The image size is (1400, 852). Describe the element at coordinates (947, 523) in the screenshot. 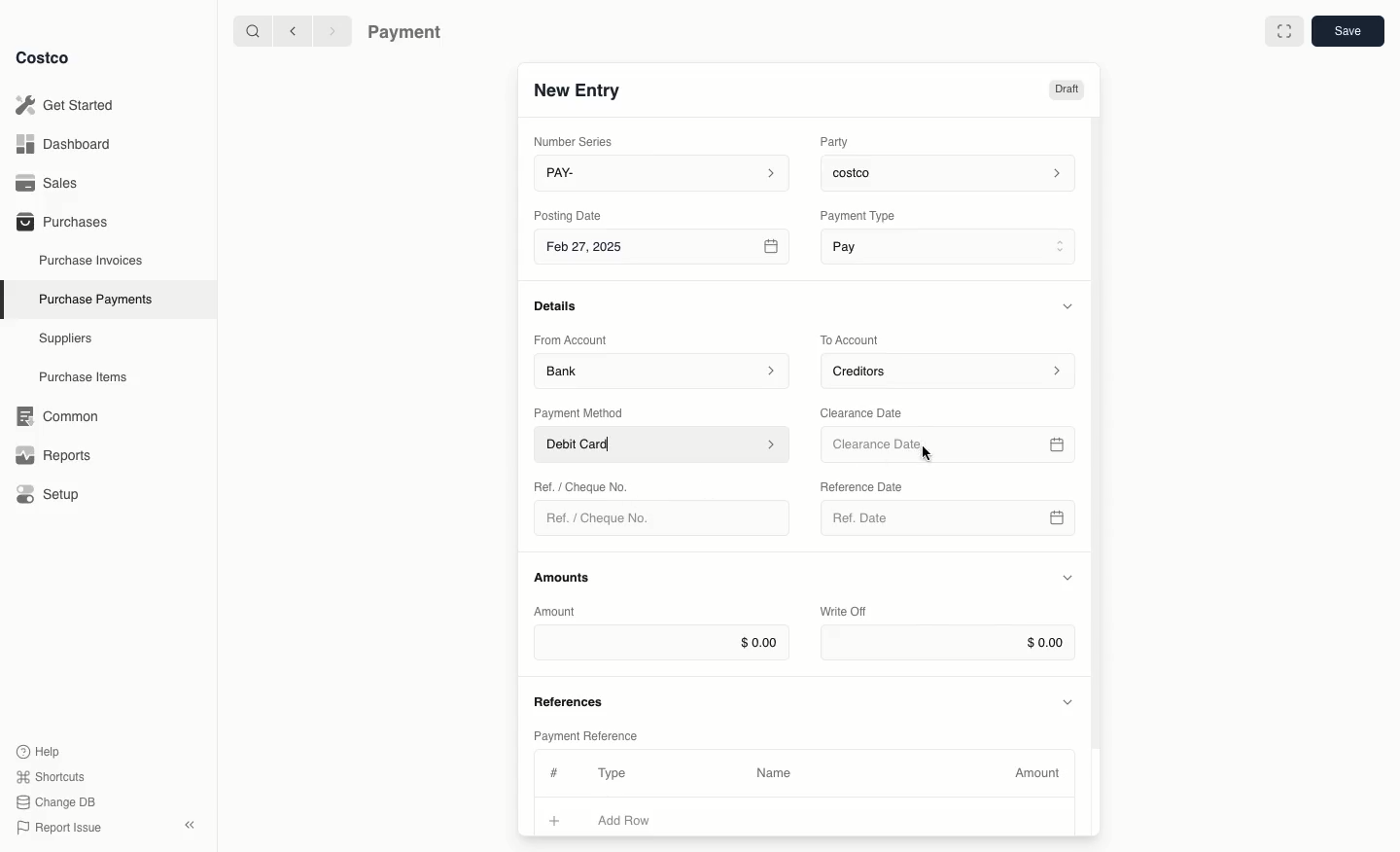

I see `Ref. Date` at that location.